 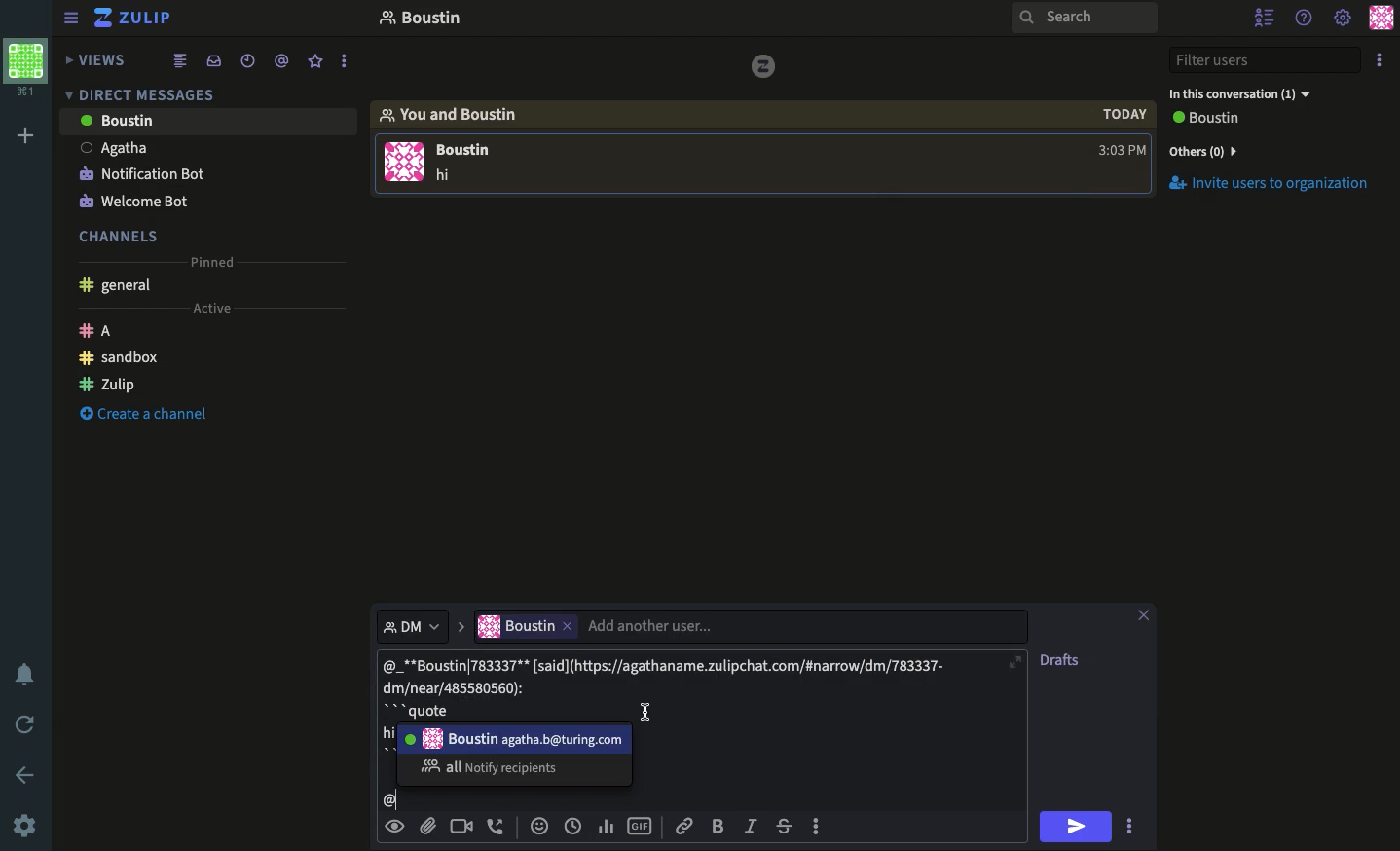 I want to click on User Input, so click(x=608, y=625).